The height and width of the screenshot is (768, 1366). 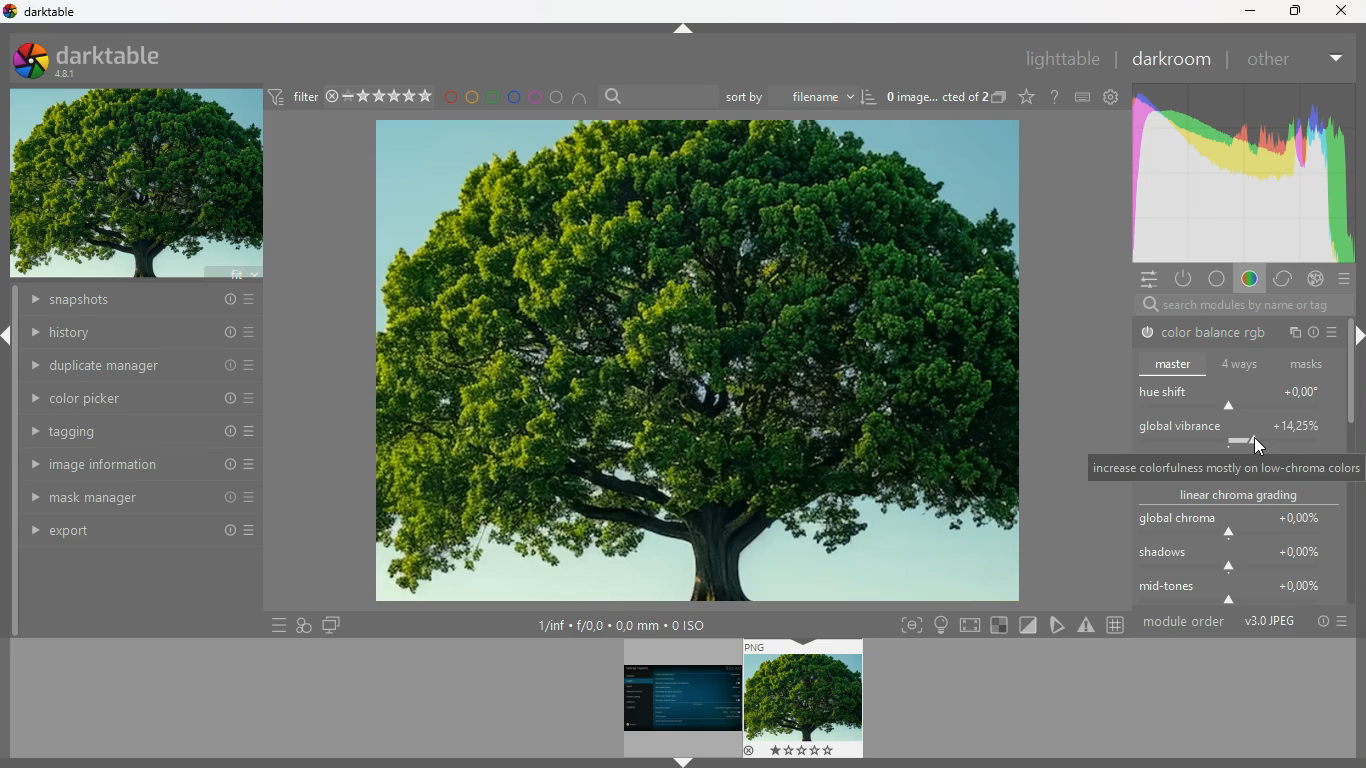 What do you see at coordinates (944, 99) in the screenshot?
I see `image description` at bounding box center [944, 99].